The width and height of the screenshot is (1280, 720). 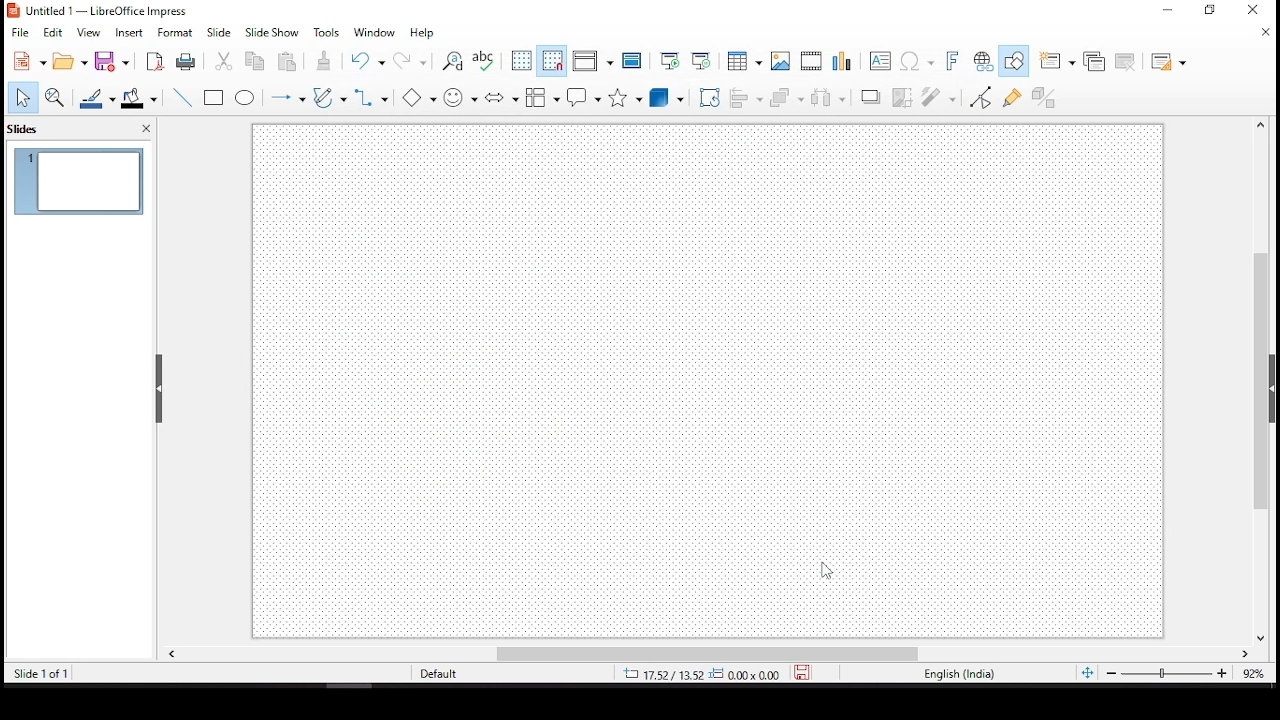 I want to click on close pane, so click(x=146, y=127).